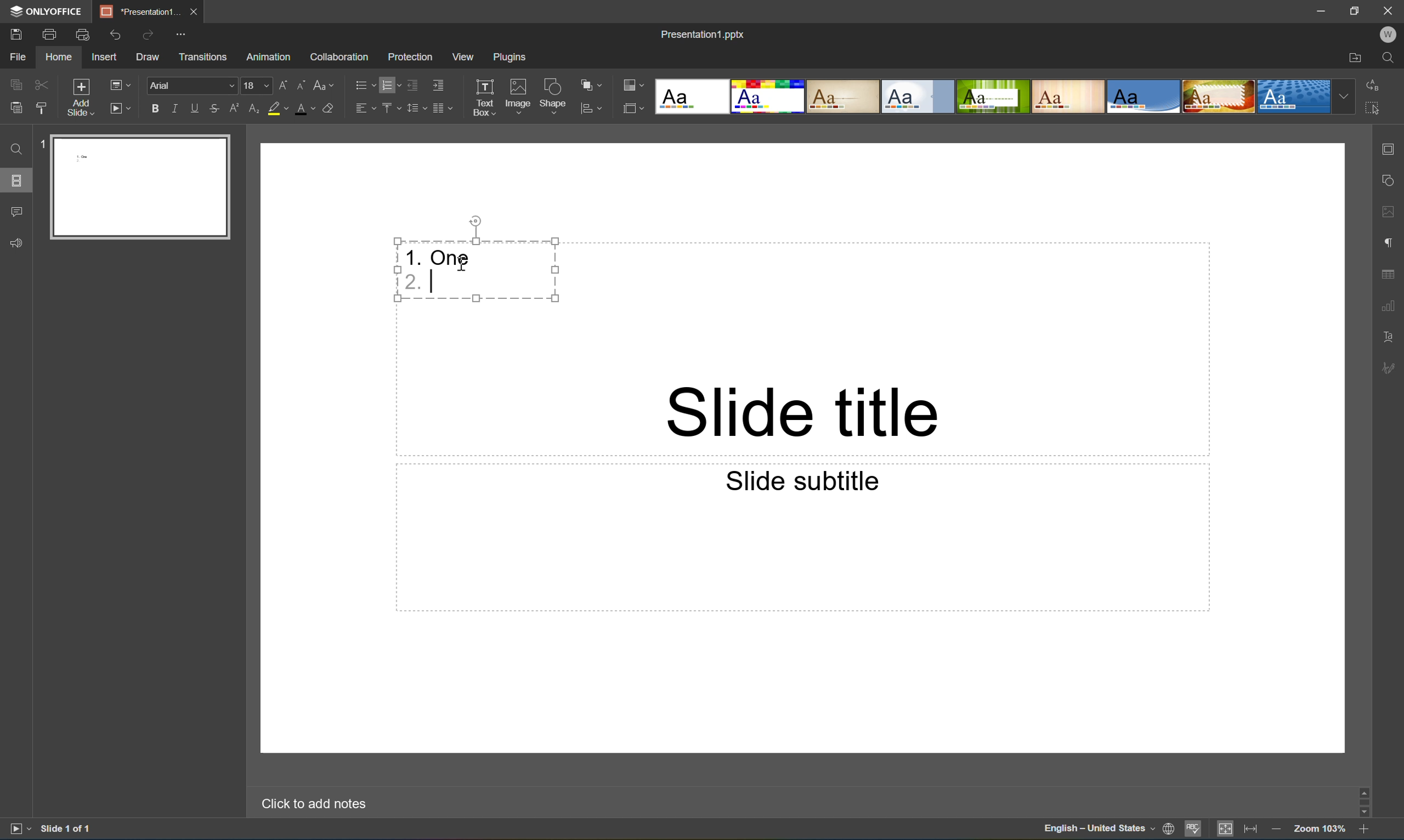 The image size is (1404, 840). Describe the element at coordinates (1320, 831) in the screenshot. I see `Zoom 103%` at that location.